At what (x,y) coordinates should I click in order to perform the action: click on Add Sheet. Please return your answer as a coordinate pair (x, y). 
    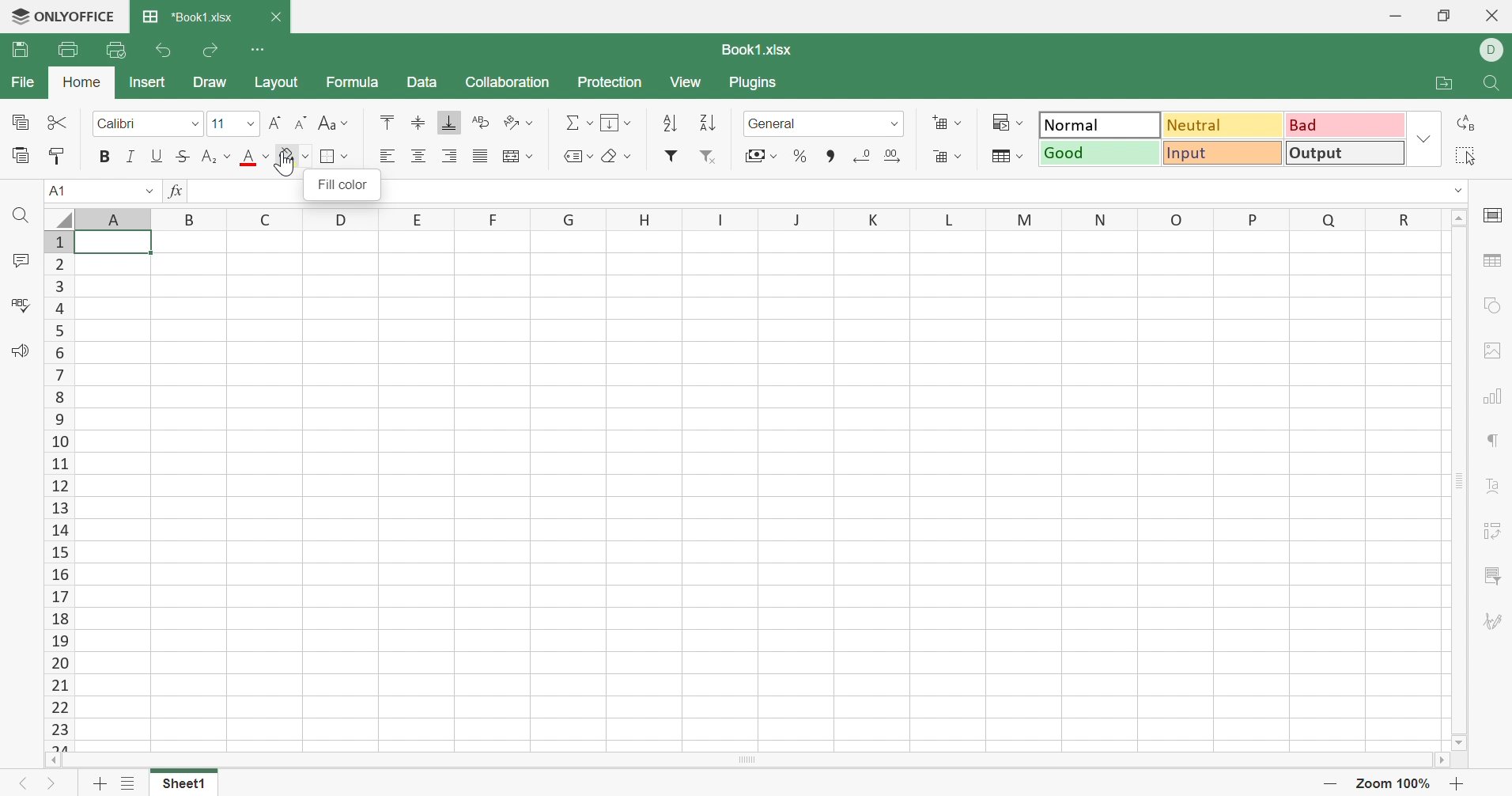
    Looking at the image, I should click on (103, 786).